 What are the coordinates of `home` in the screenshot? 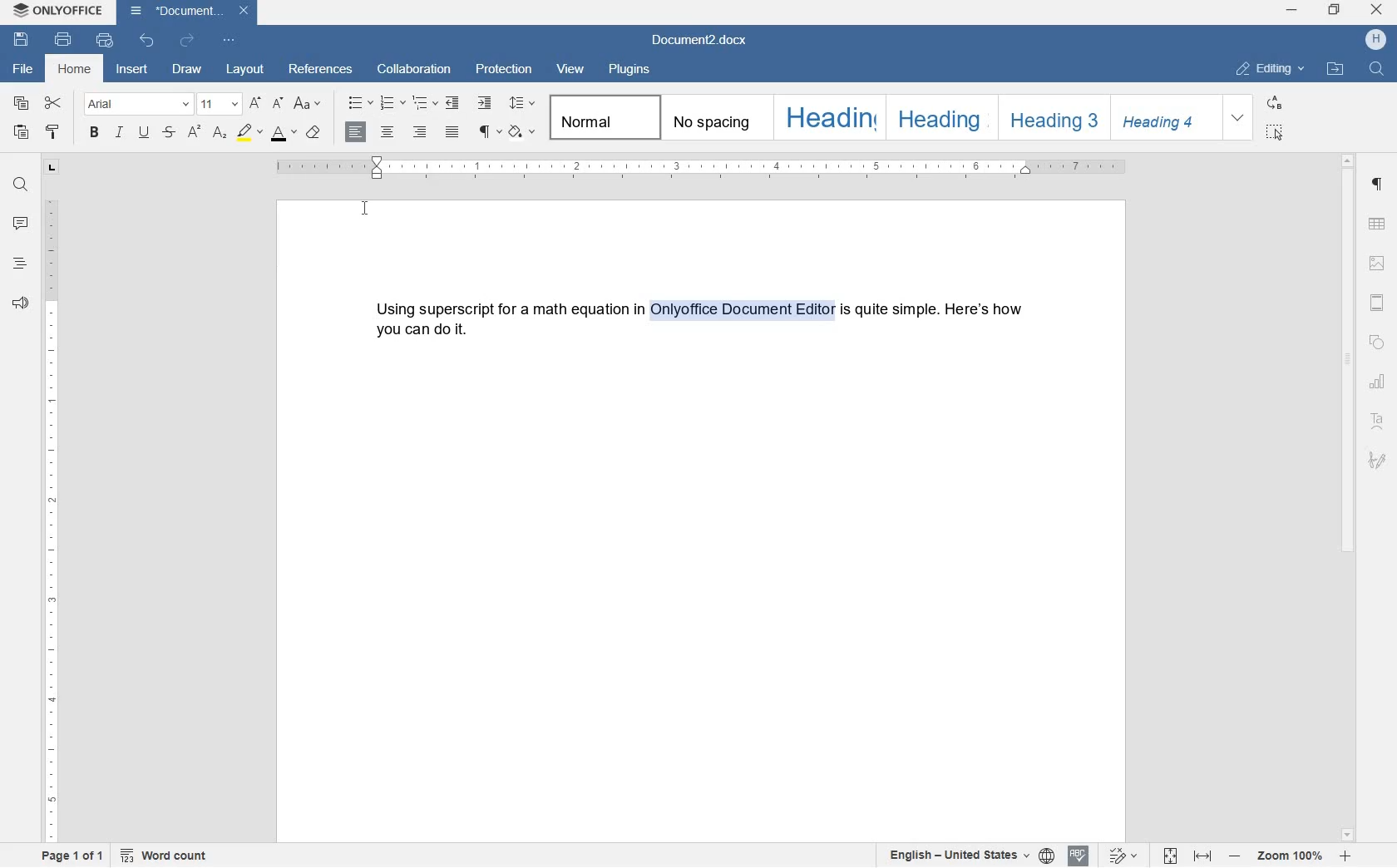 It's located at (76, 68).